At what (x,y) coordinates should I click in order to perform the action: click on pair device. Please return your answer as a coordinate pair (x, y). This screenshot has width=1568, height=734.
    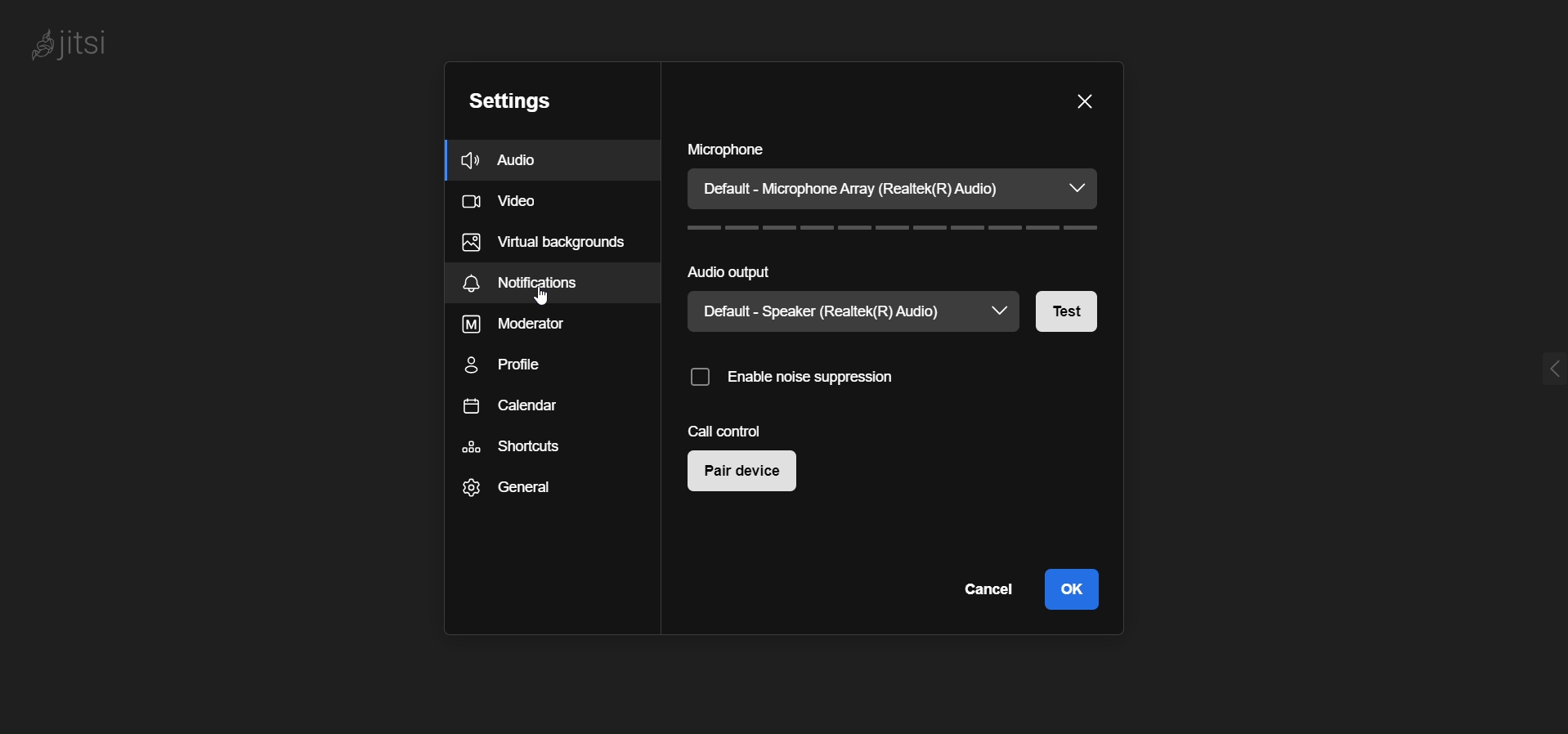
    Looking at the image, I should click on (748, 476).